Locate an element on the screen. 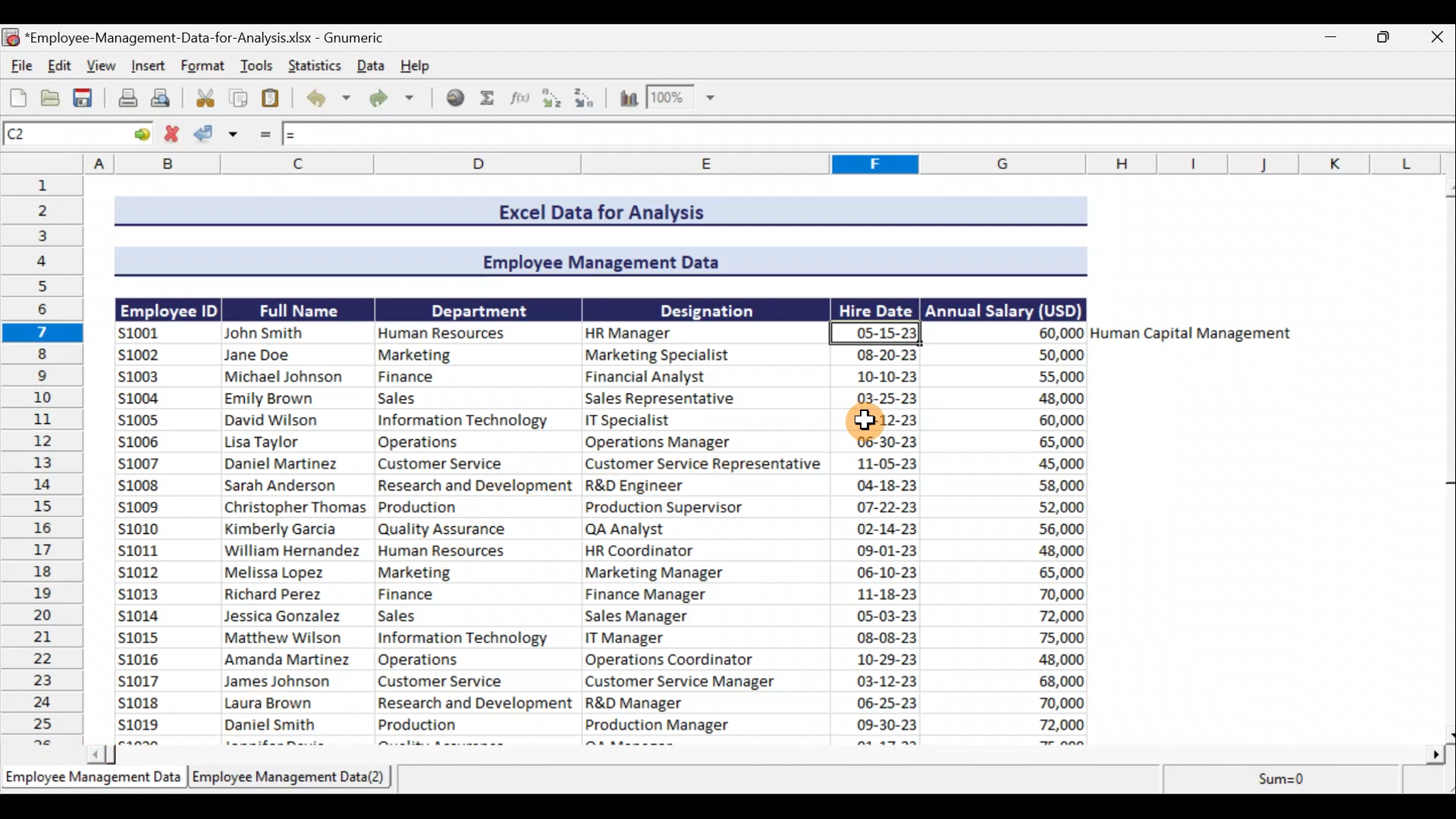 The height and width of the screenshot is (819, 1456). Accept change is located at coordinates (216, 137).